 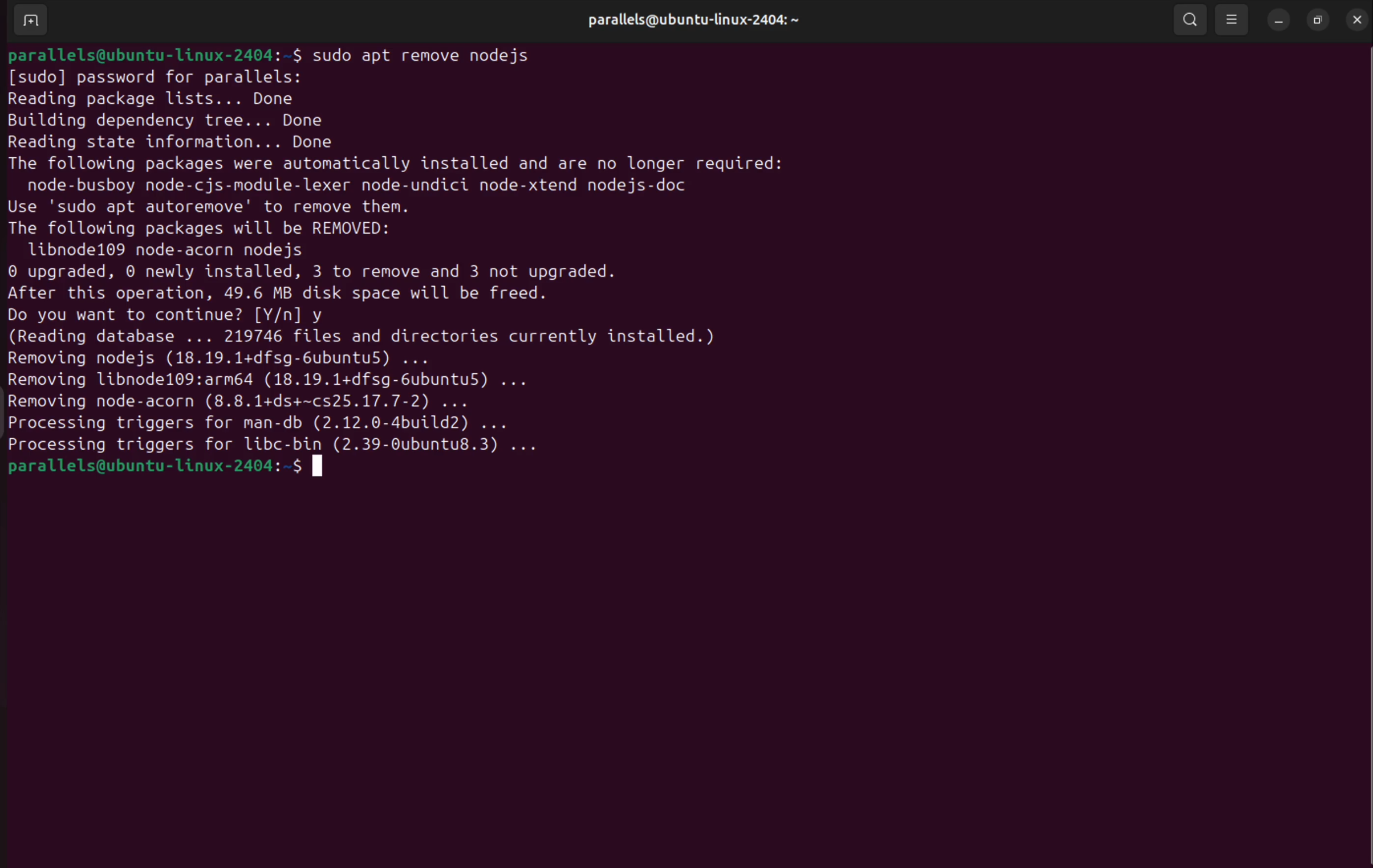 I want to click on minimize, so click(x=1277, y=21).